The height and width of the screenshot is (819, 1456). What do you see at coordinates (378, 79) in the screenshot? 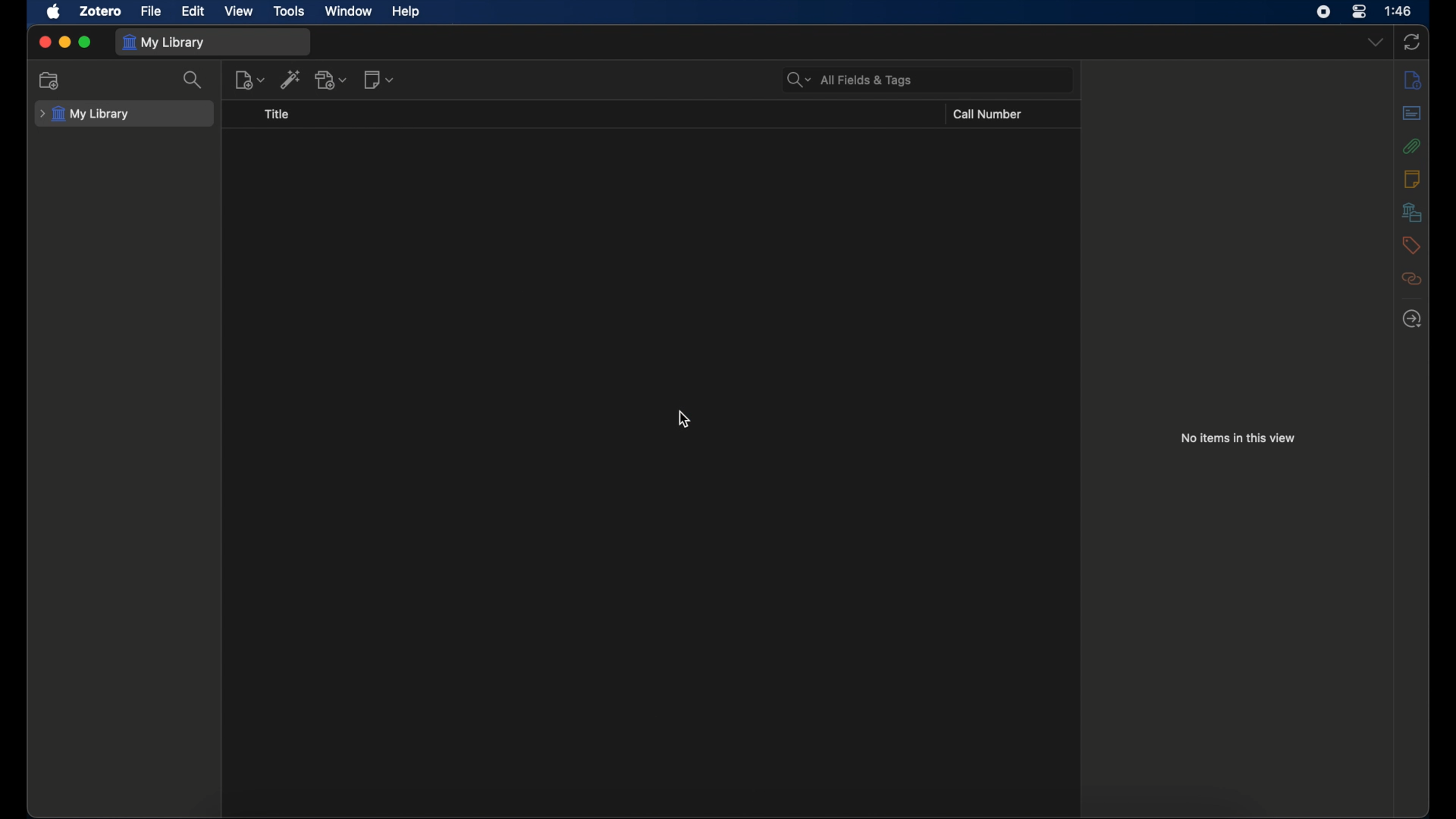
I see `new notes` at bounding box center [378, 79].